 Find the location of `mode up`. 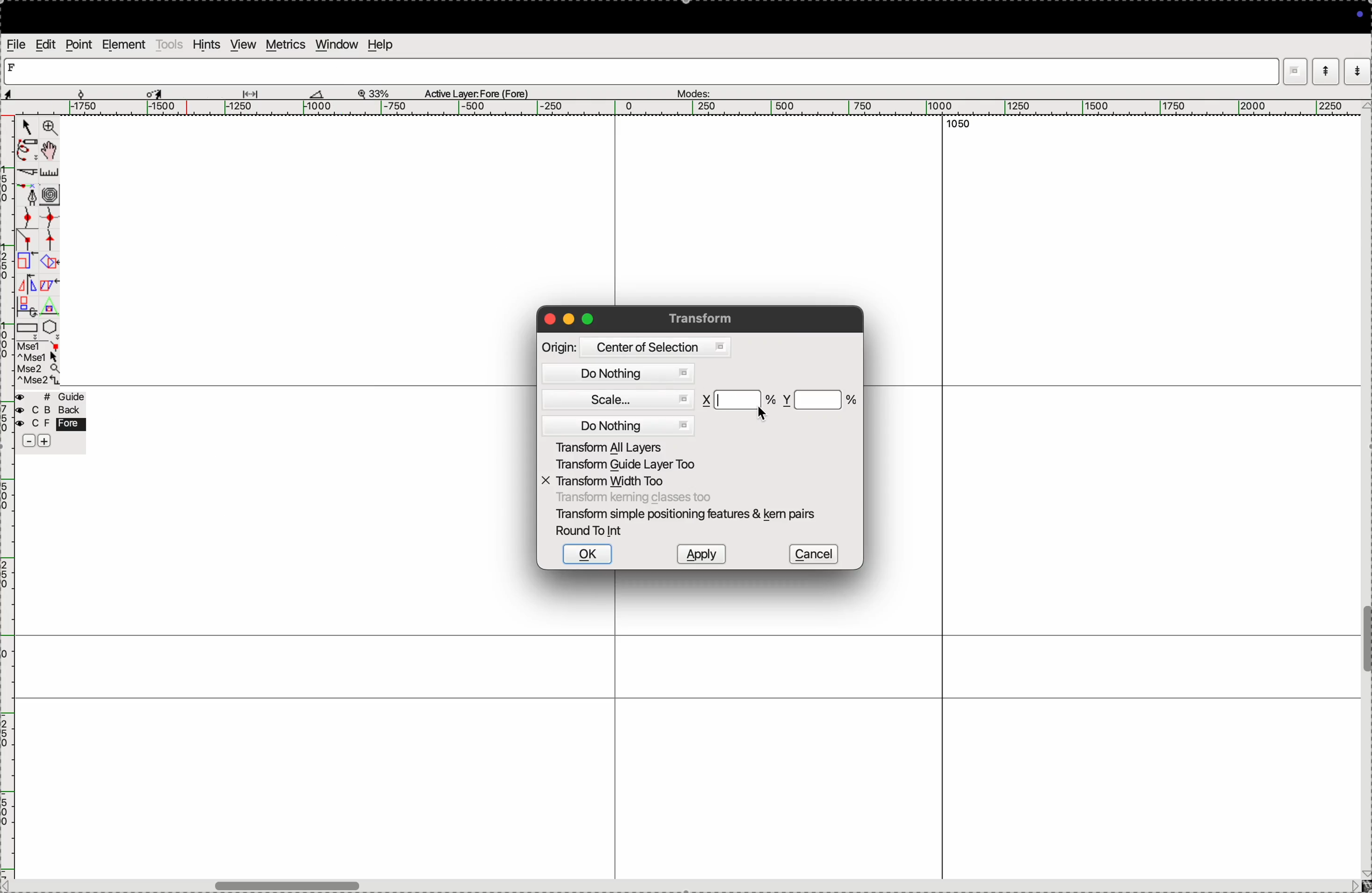

mode up is located at coordinates (1324, 71).